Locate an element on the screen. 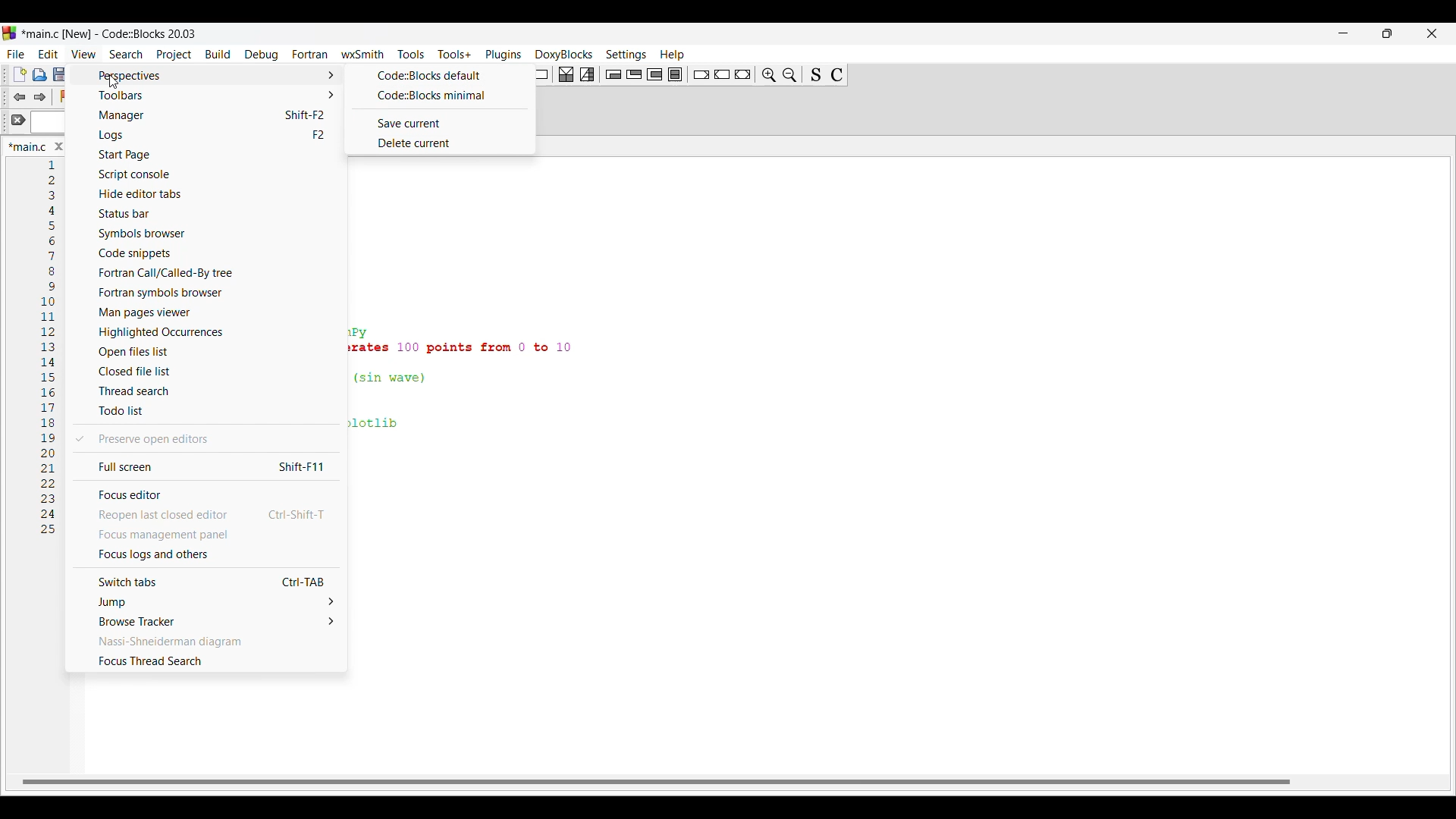 This screenshot has height=819, width=1456. New file is located at coordinates (19, 74).